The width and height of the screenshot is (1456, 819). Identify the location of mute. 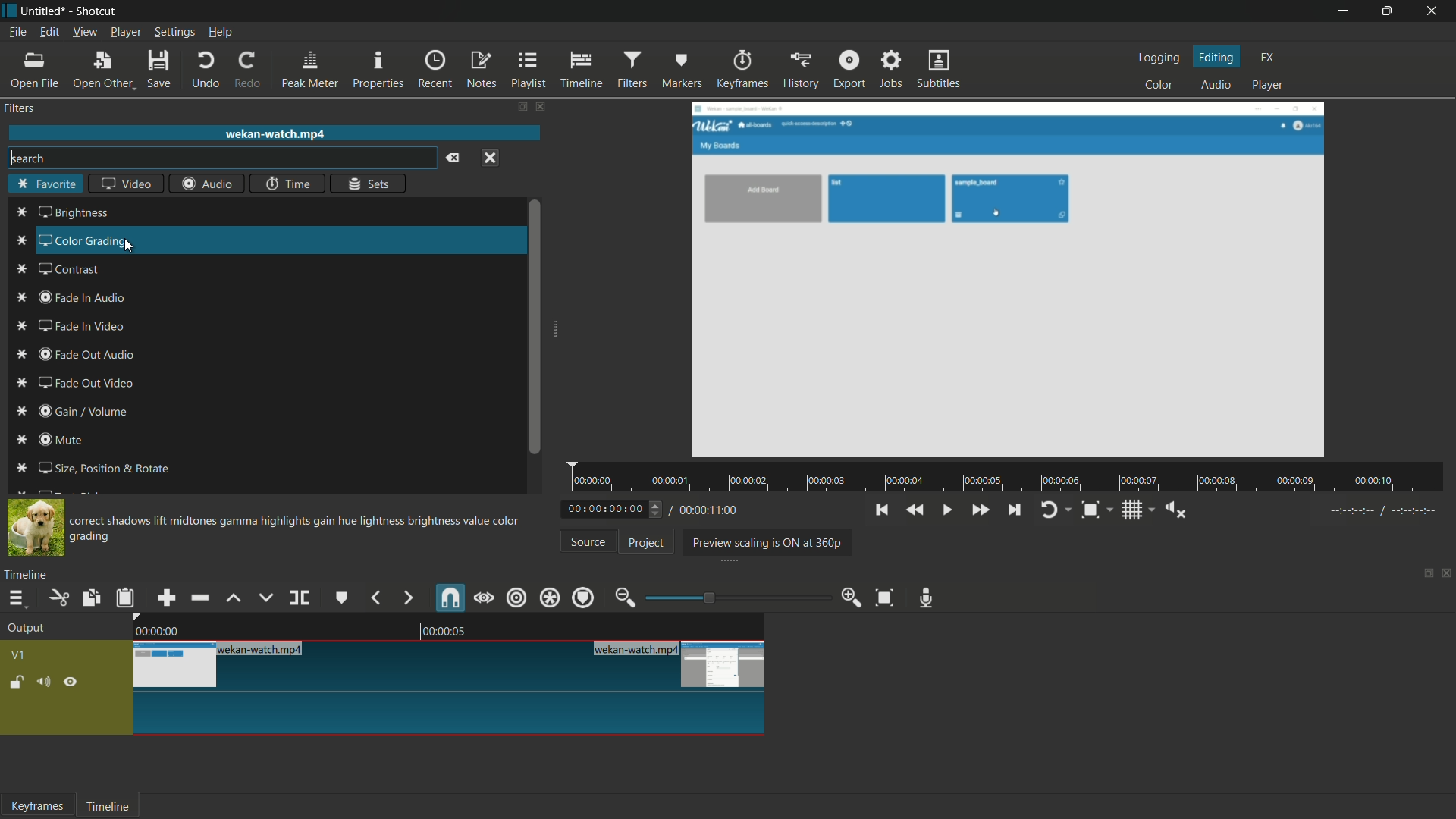
(48, 683).